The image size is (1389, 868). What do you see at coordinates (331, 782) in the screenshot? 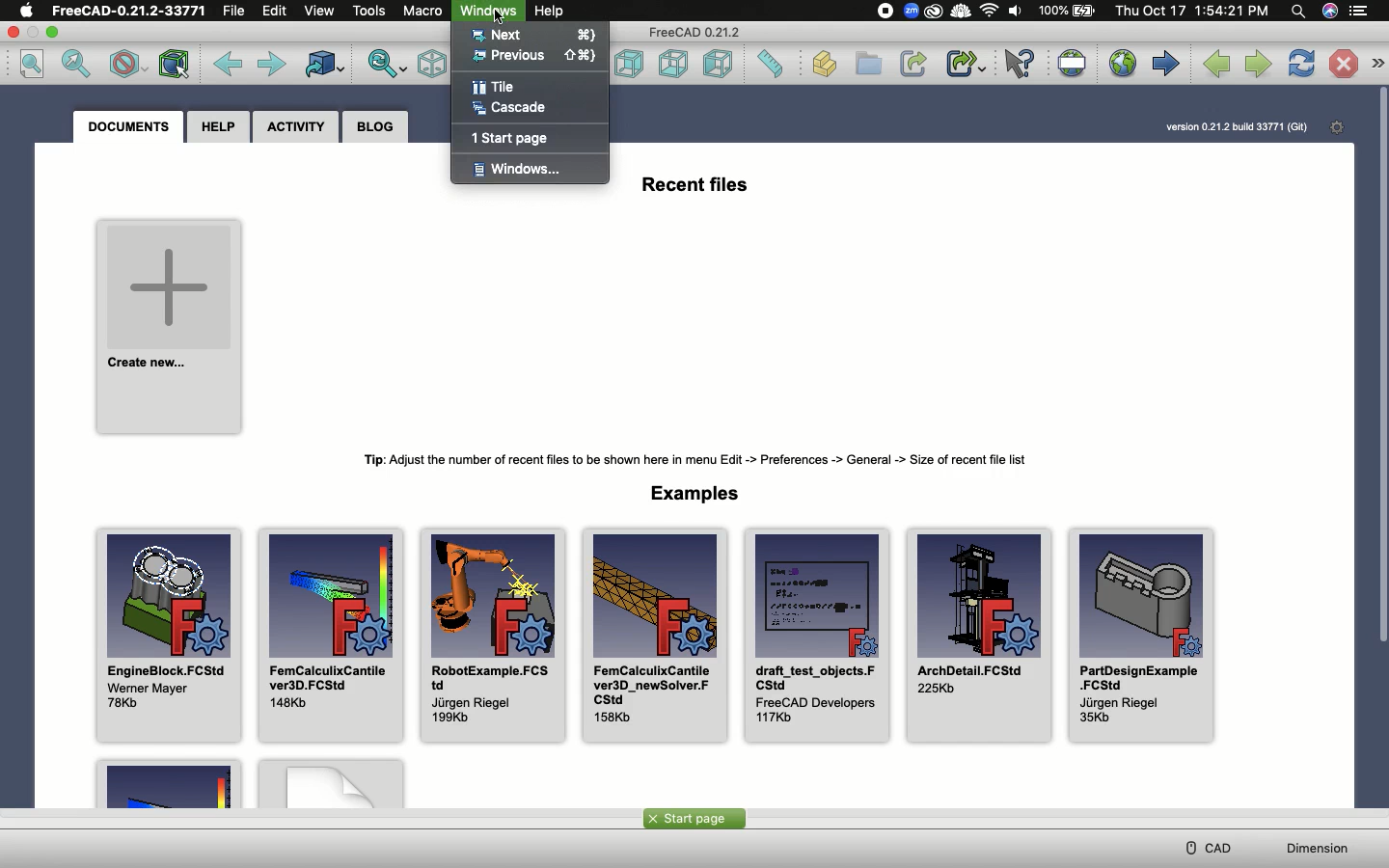
I see `Example` at bounding box center [331, 782].